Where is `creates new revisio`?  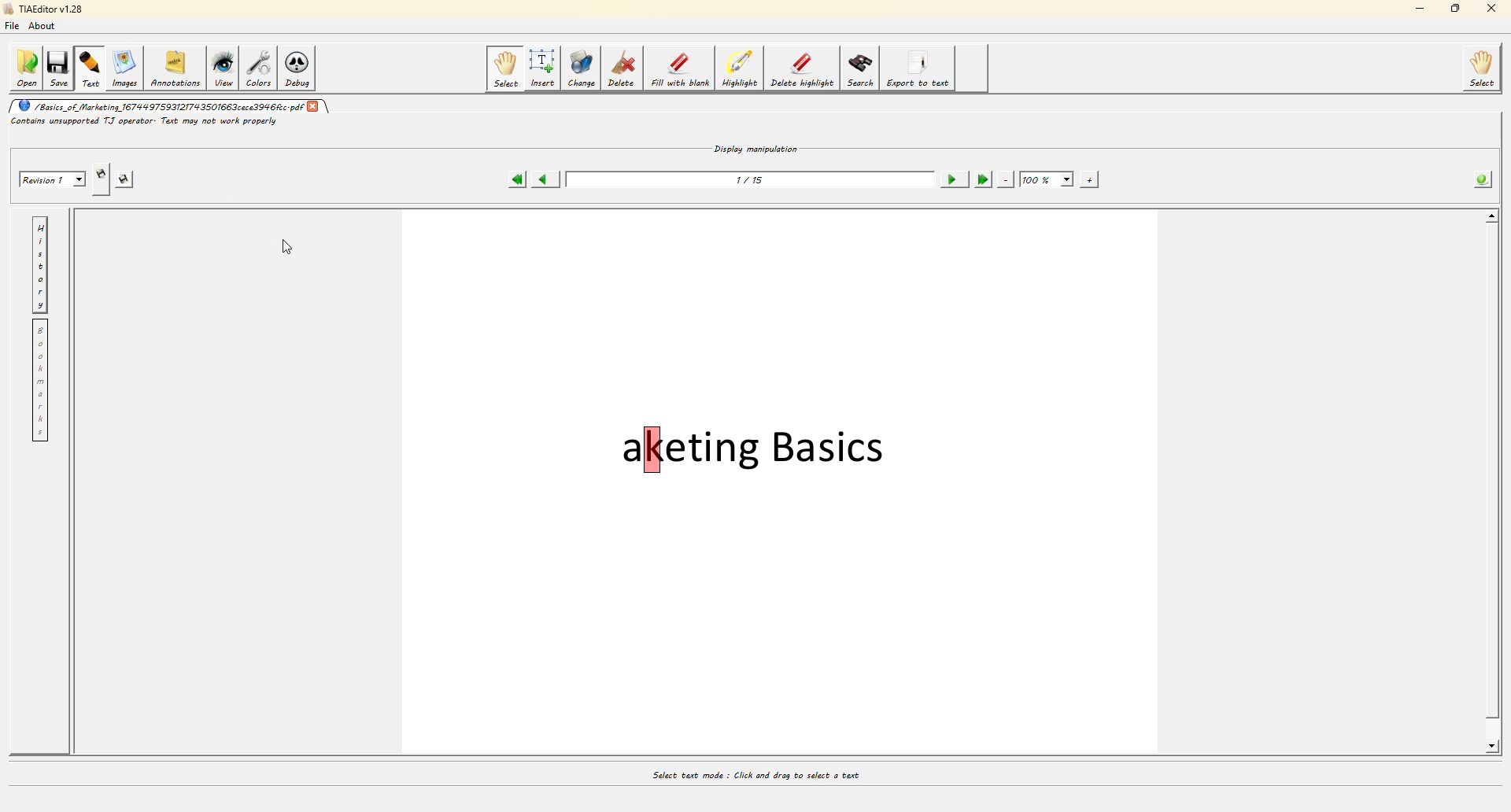
creates new revisio is located at coordinates (102, 169).